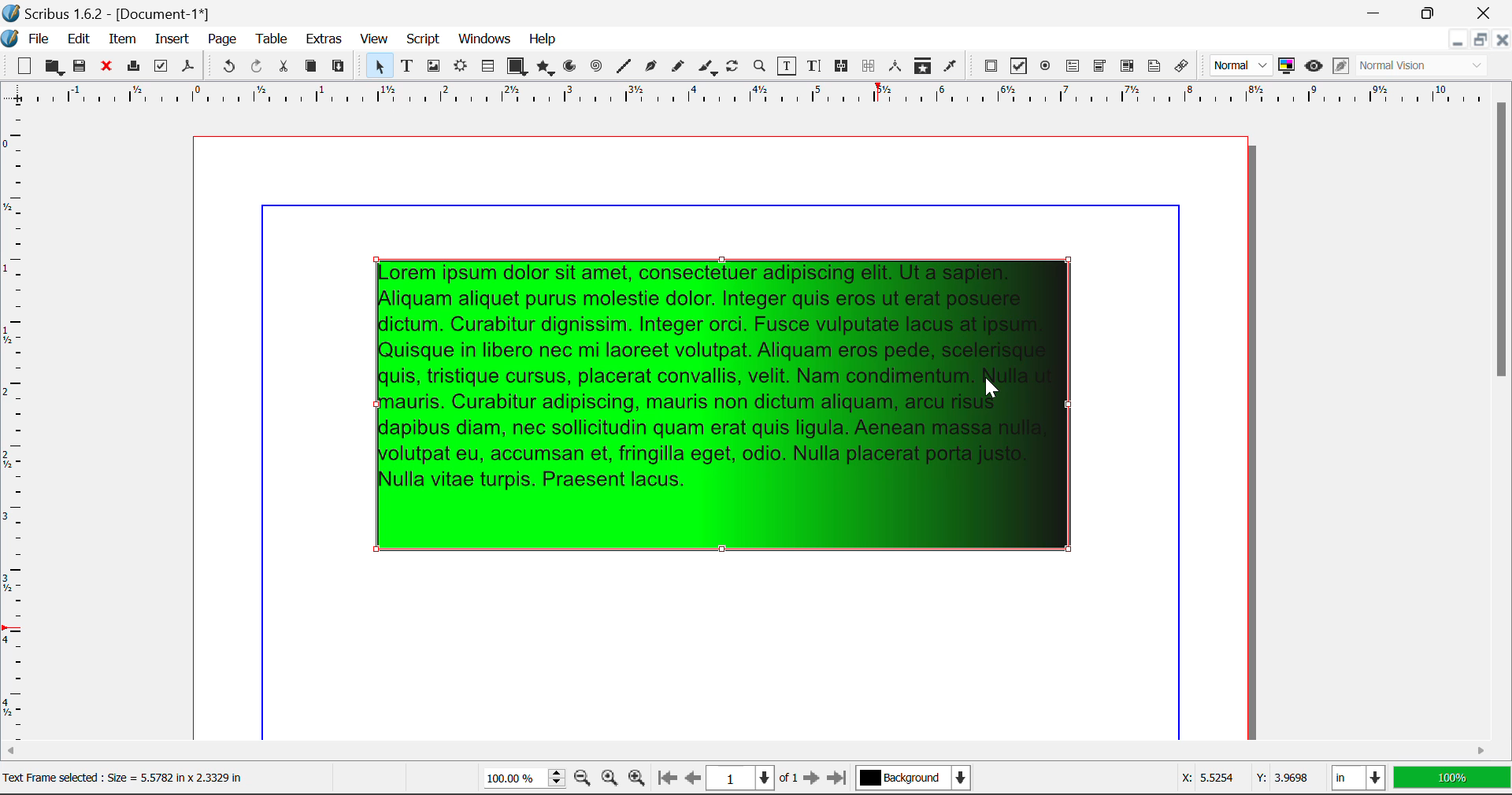  What do you see at coordinates (123, 41) in the screenshot?
I see `Item` at bounding box center [123, 41].